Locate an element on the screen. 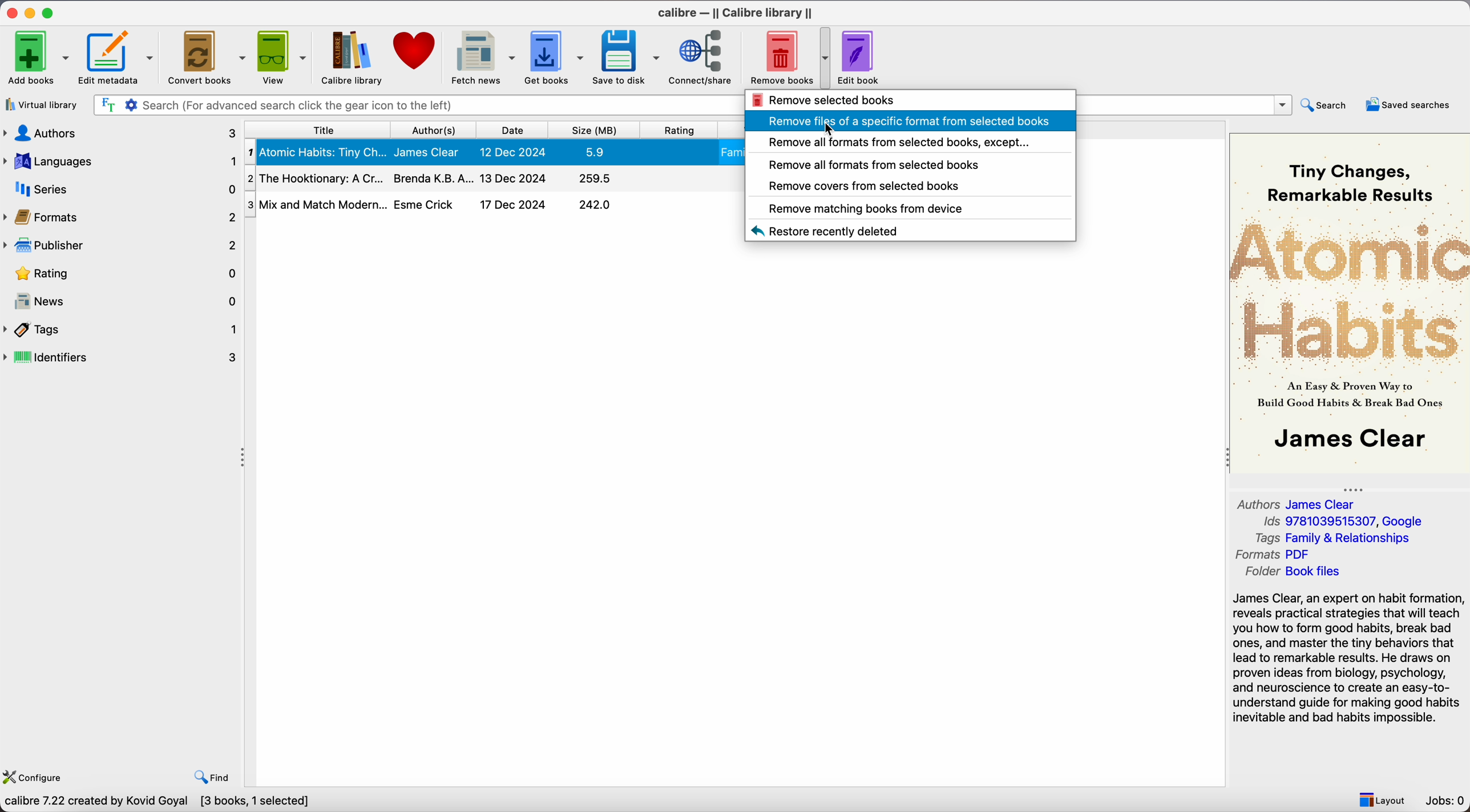 The image size is (1470, 812). rating is located at coordinates (122, 274).